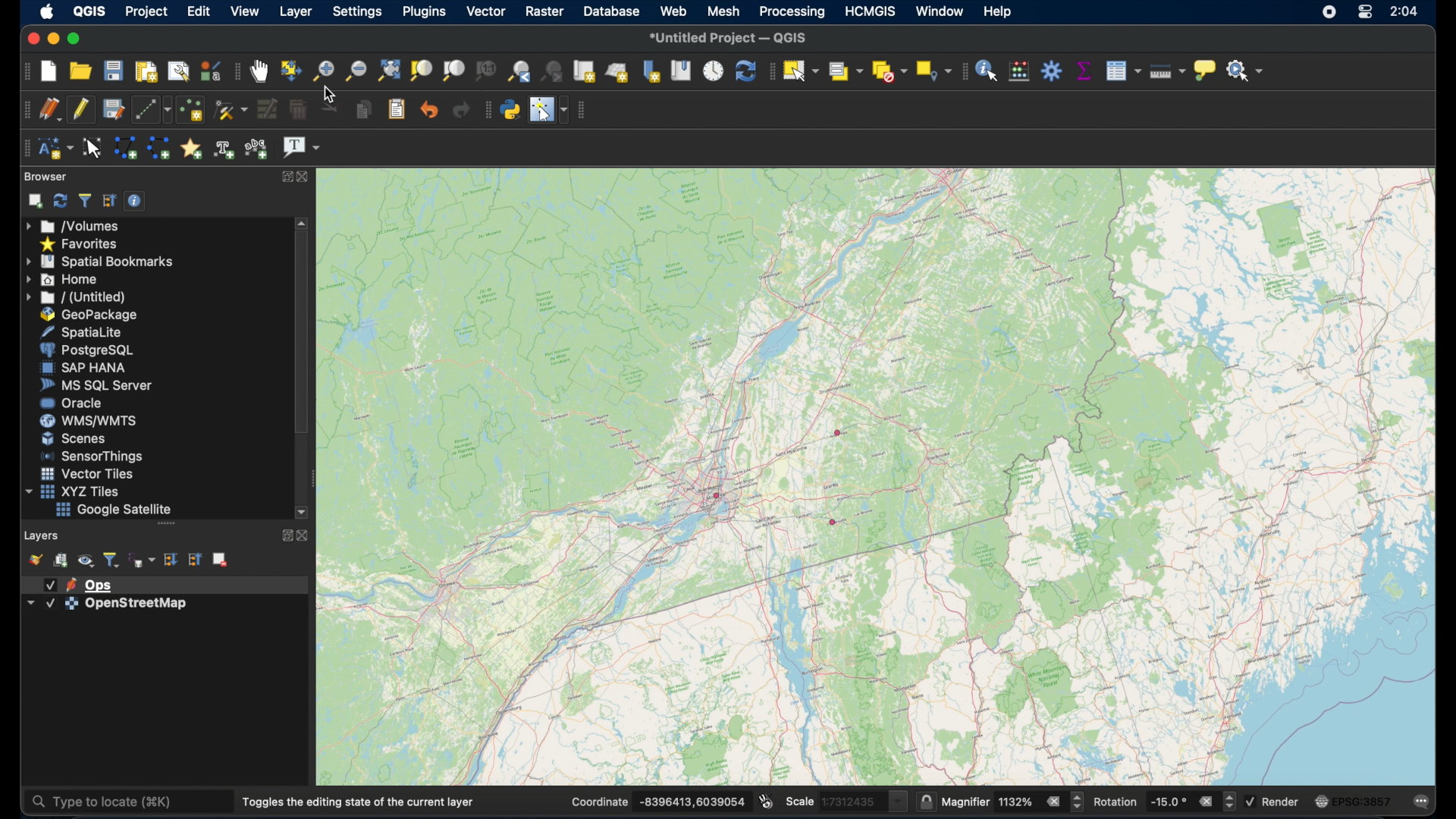 The height and width of the screenshot is (819, 1456). Describe the element at coordinates (72, 224) in the screenshot. I see `volumes` at that location.